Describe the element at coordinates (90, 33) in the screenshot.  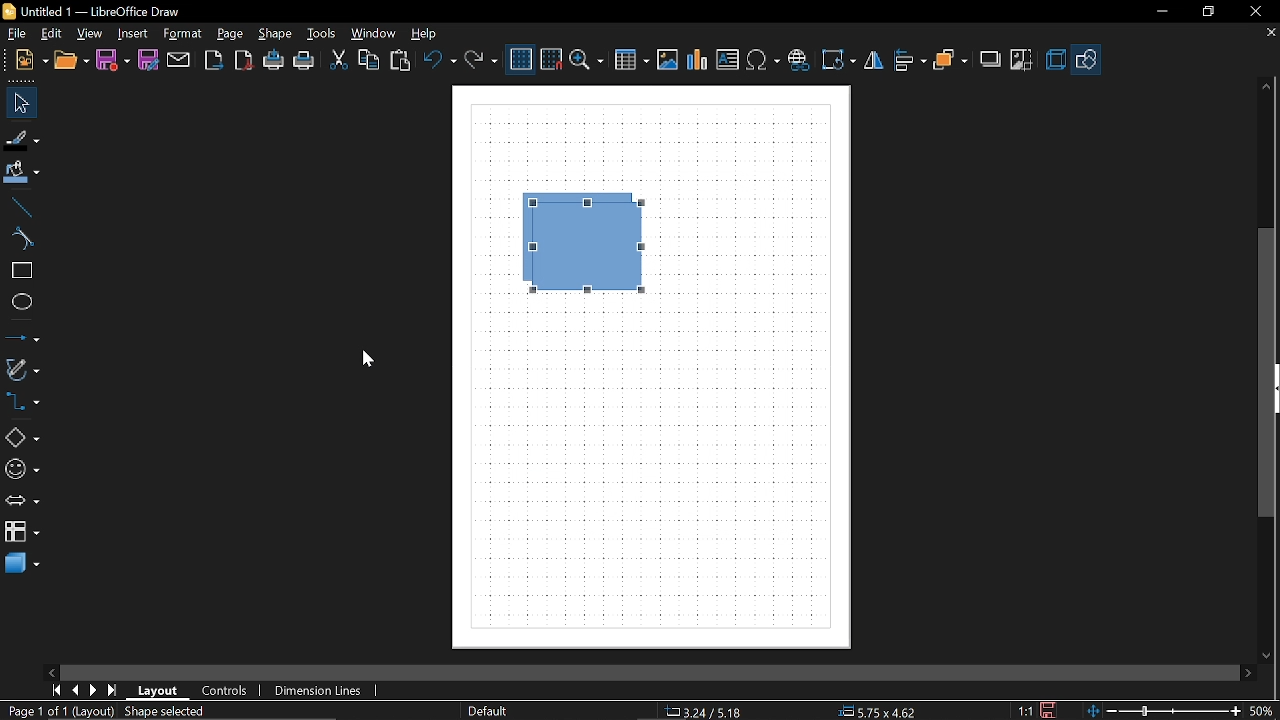
I see `View` at that location.